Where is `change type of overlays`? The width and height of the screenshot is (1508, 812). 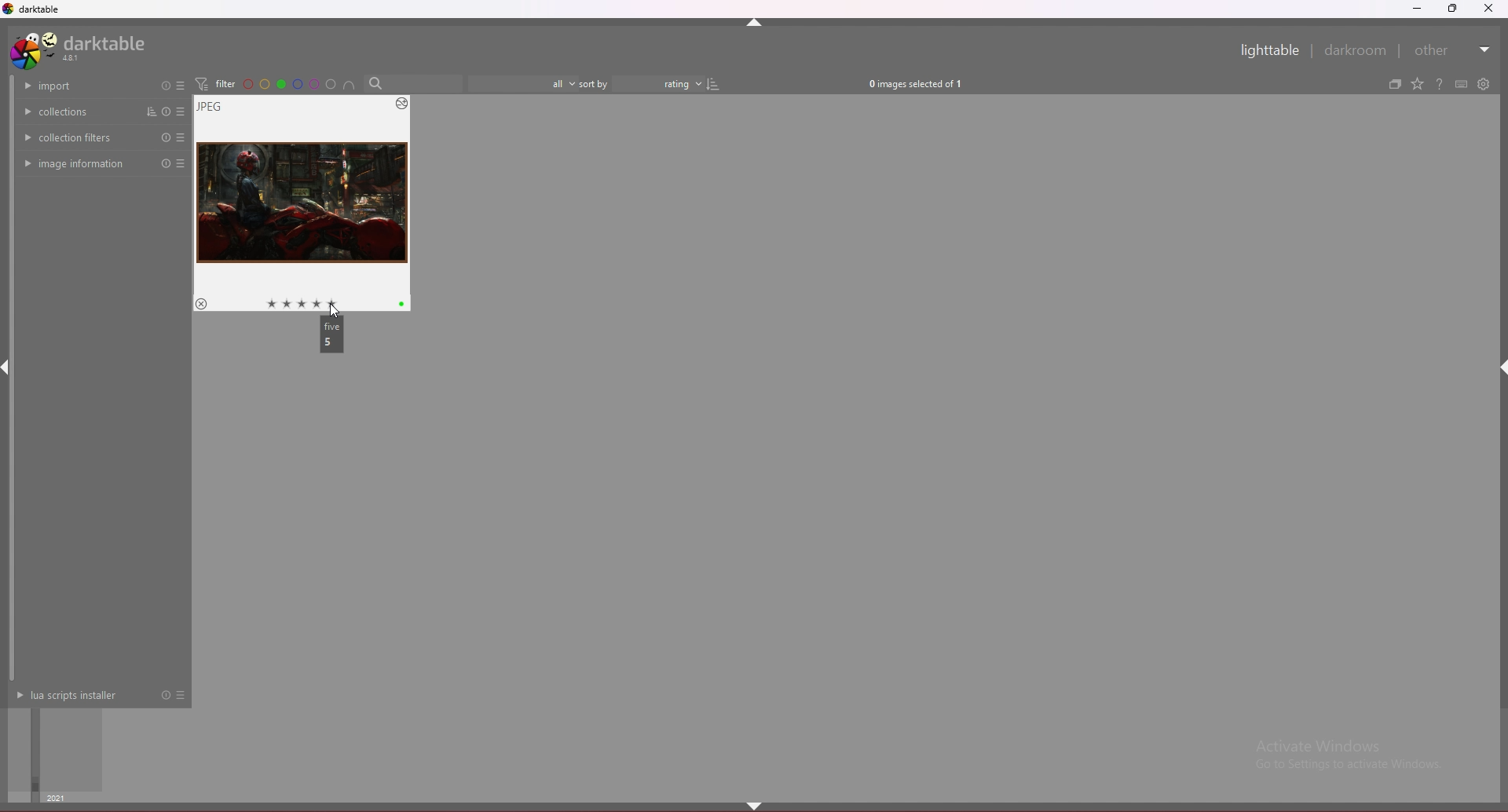 change type of overlays is located at coordinates (1418, 85).